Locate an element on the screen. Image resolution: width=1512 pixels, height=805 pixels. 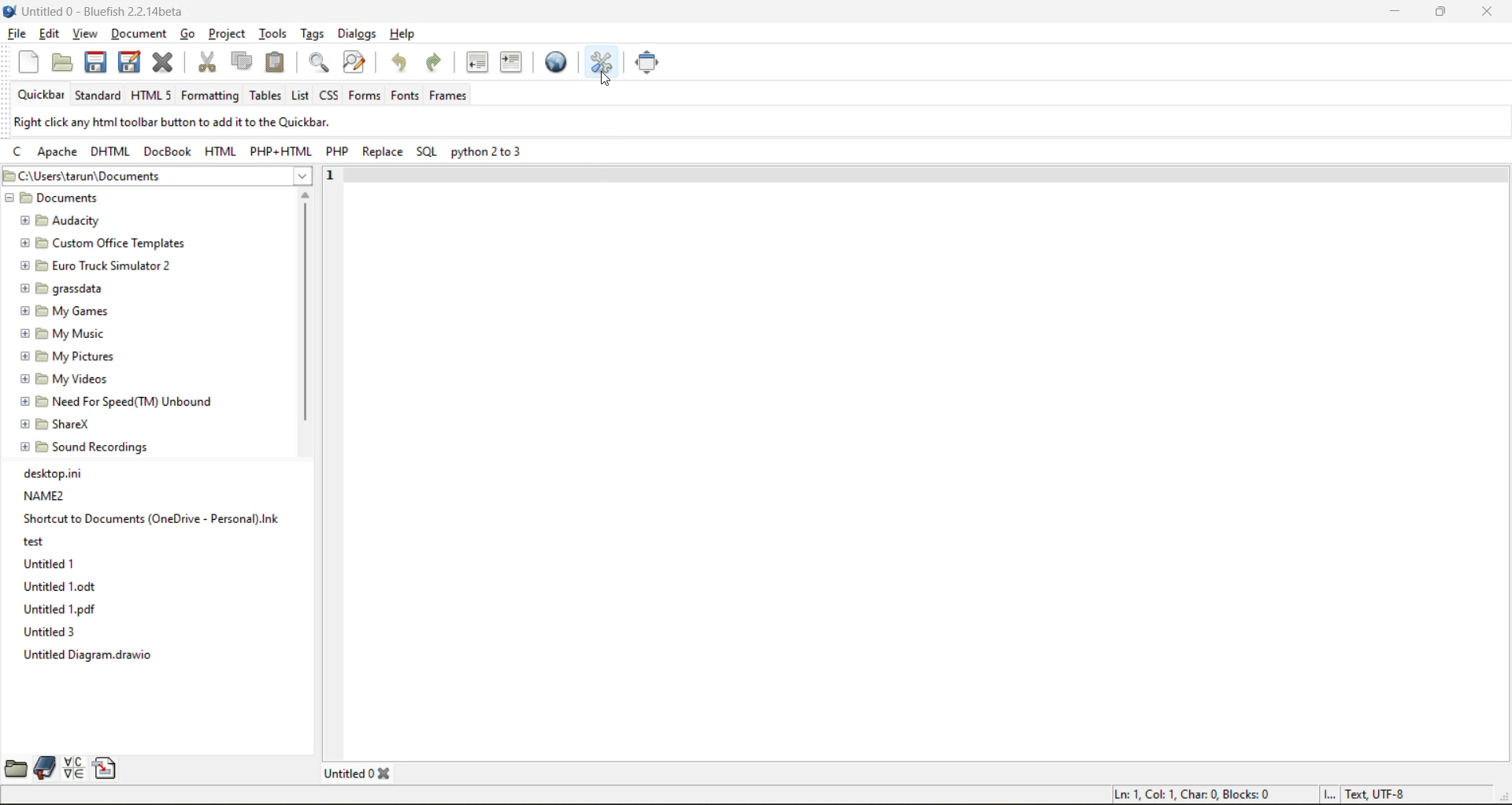
tabs is located at coordinates (361, 772).